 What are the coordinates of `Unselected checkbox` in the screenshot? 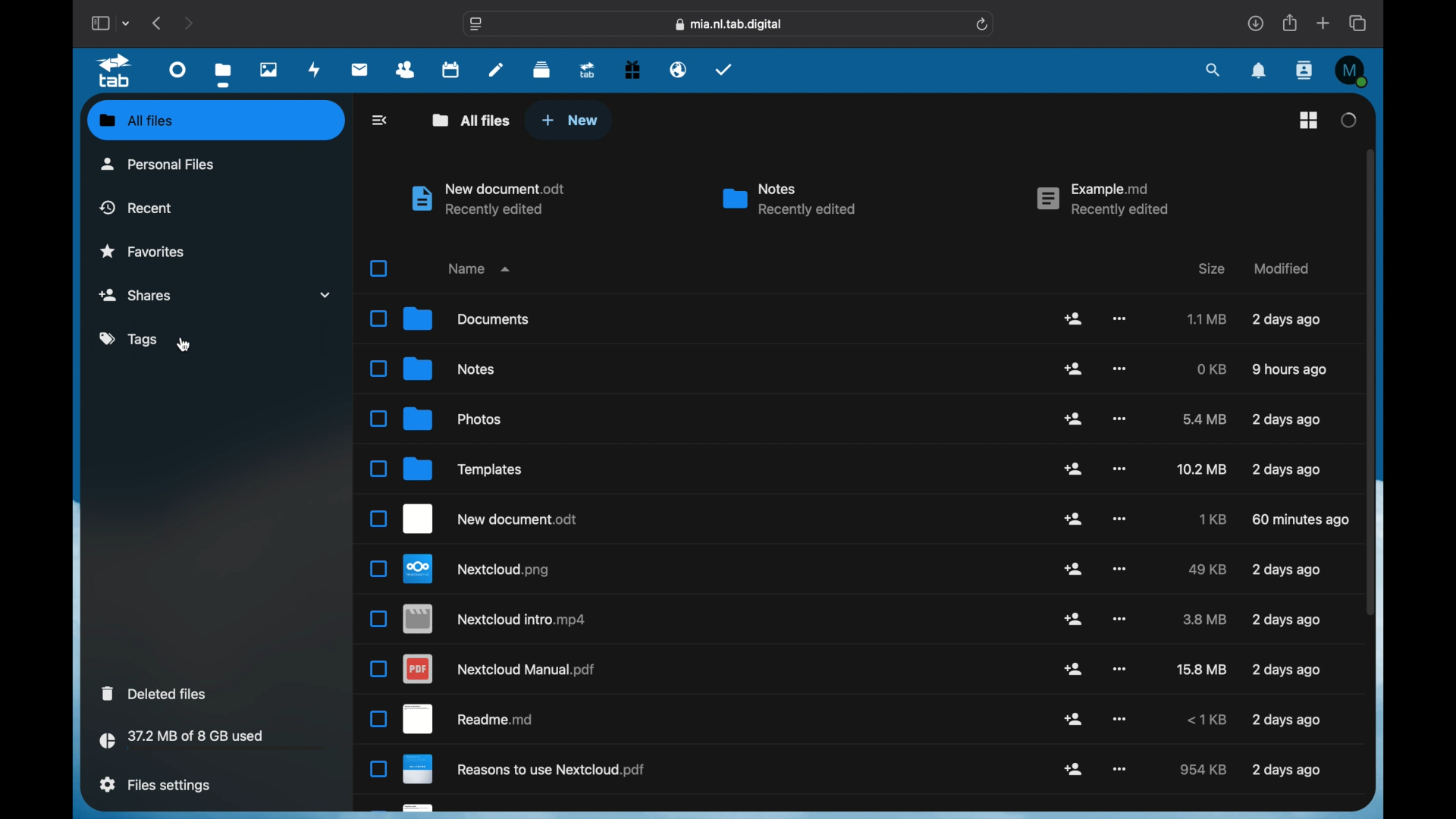 It's located at (378, 670).